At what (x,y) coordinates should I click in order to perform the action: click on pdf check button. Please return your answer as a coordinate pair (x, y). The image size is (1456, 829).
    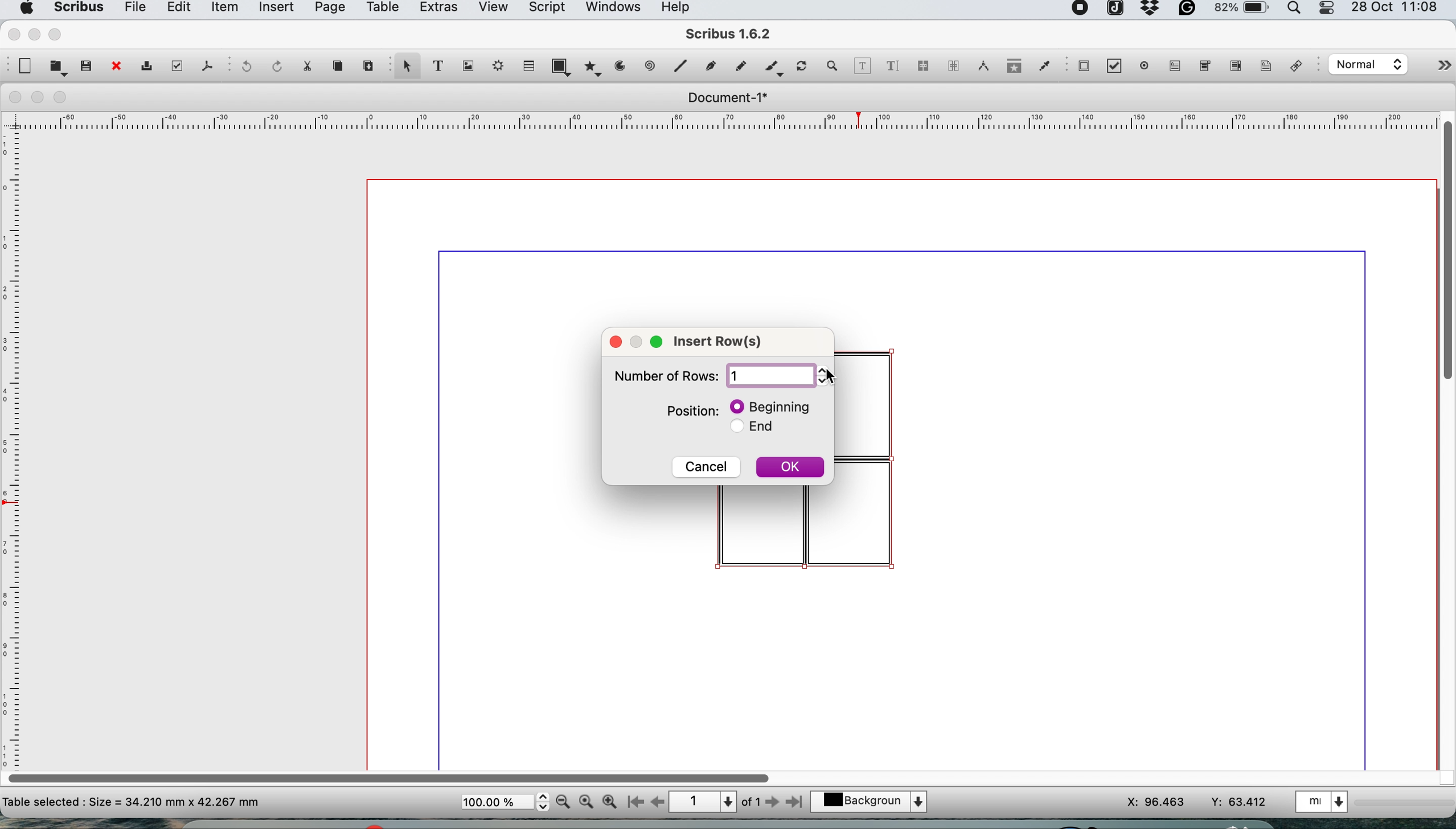
    Looking at the image, I should click on (1118, 67).